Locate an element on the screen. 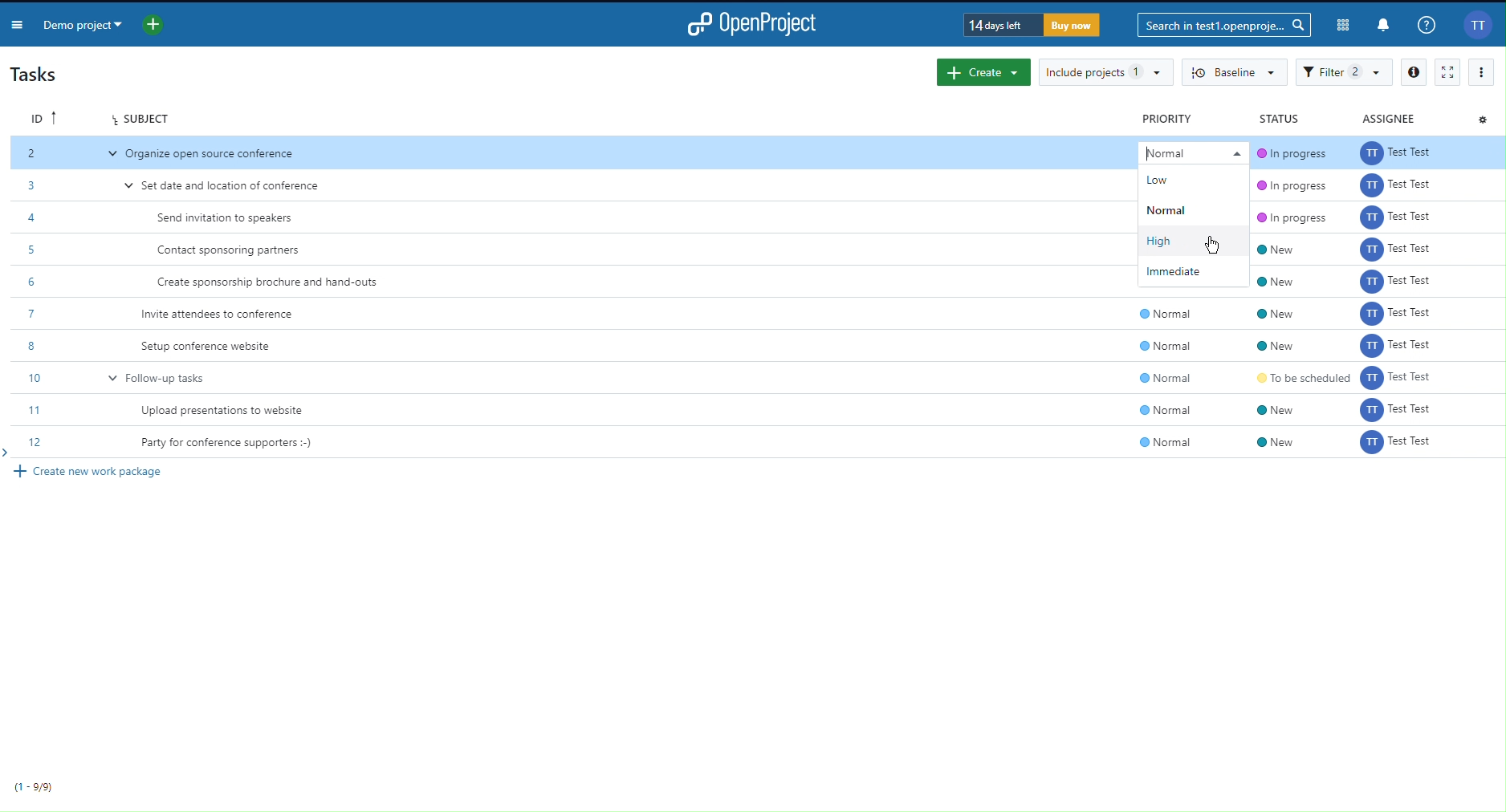 The image size is (1506, 812). 10 wv Follow-up tasks @Normal © To be scheduled Test Test is located at coordinates (760, 376).